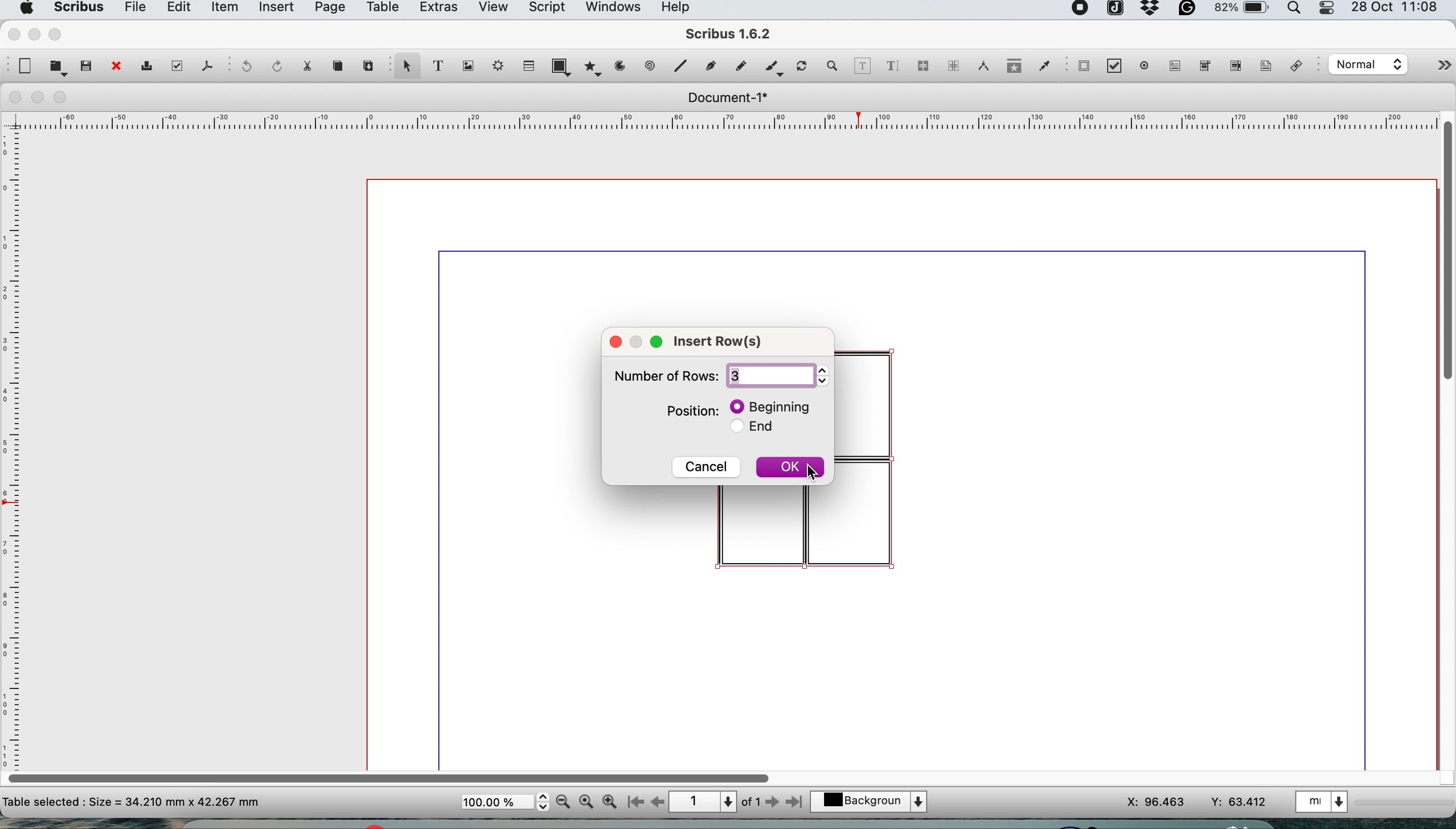 This screenshot has width=1456, height=829. I want to click on help, so click(681, 9).